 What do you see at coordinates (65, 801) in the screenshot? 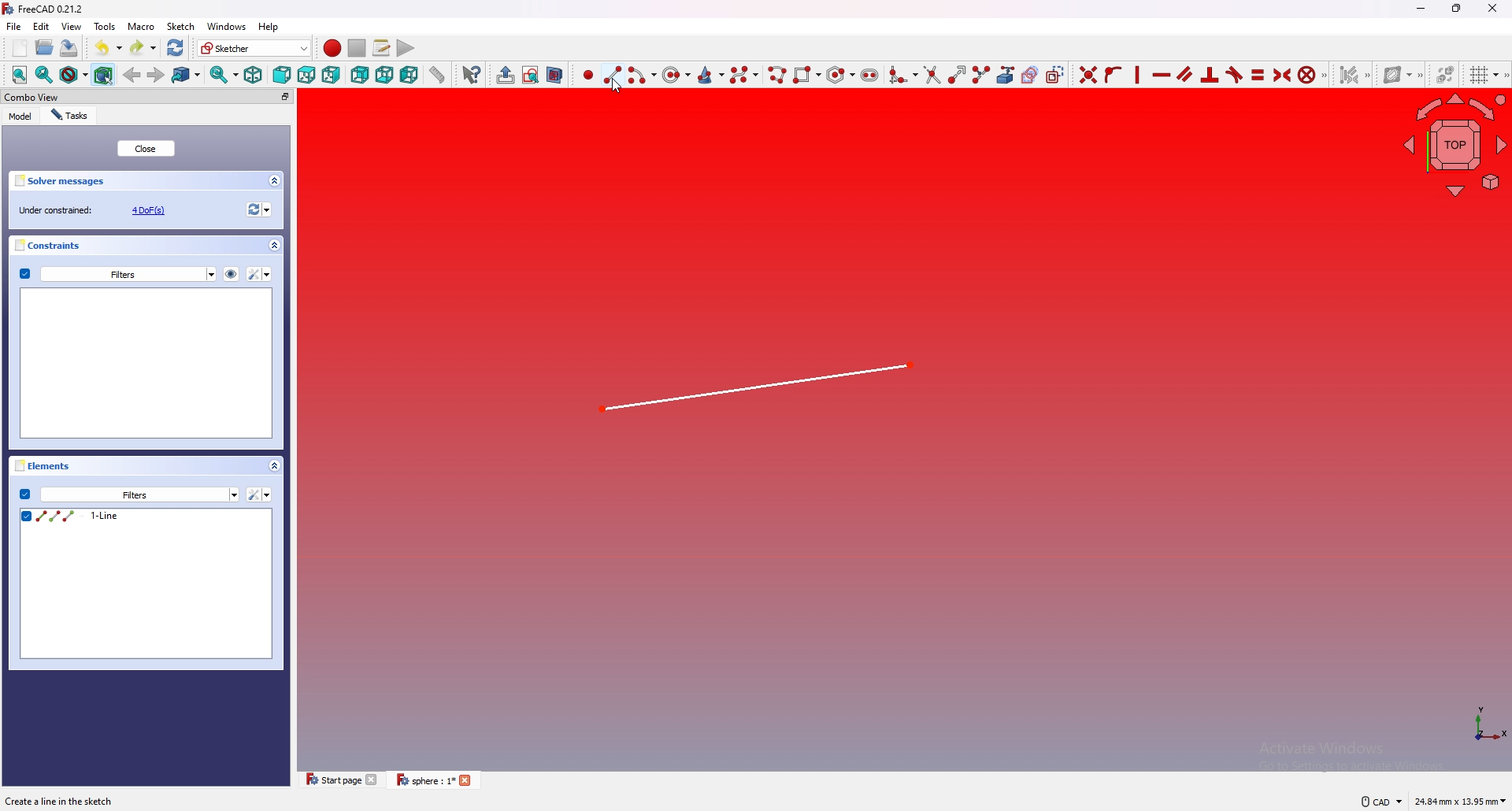
I see `Create a line in the sketch` at bounding box center [65, 801].